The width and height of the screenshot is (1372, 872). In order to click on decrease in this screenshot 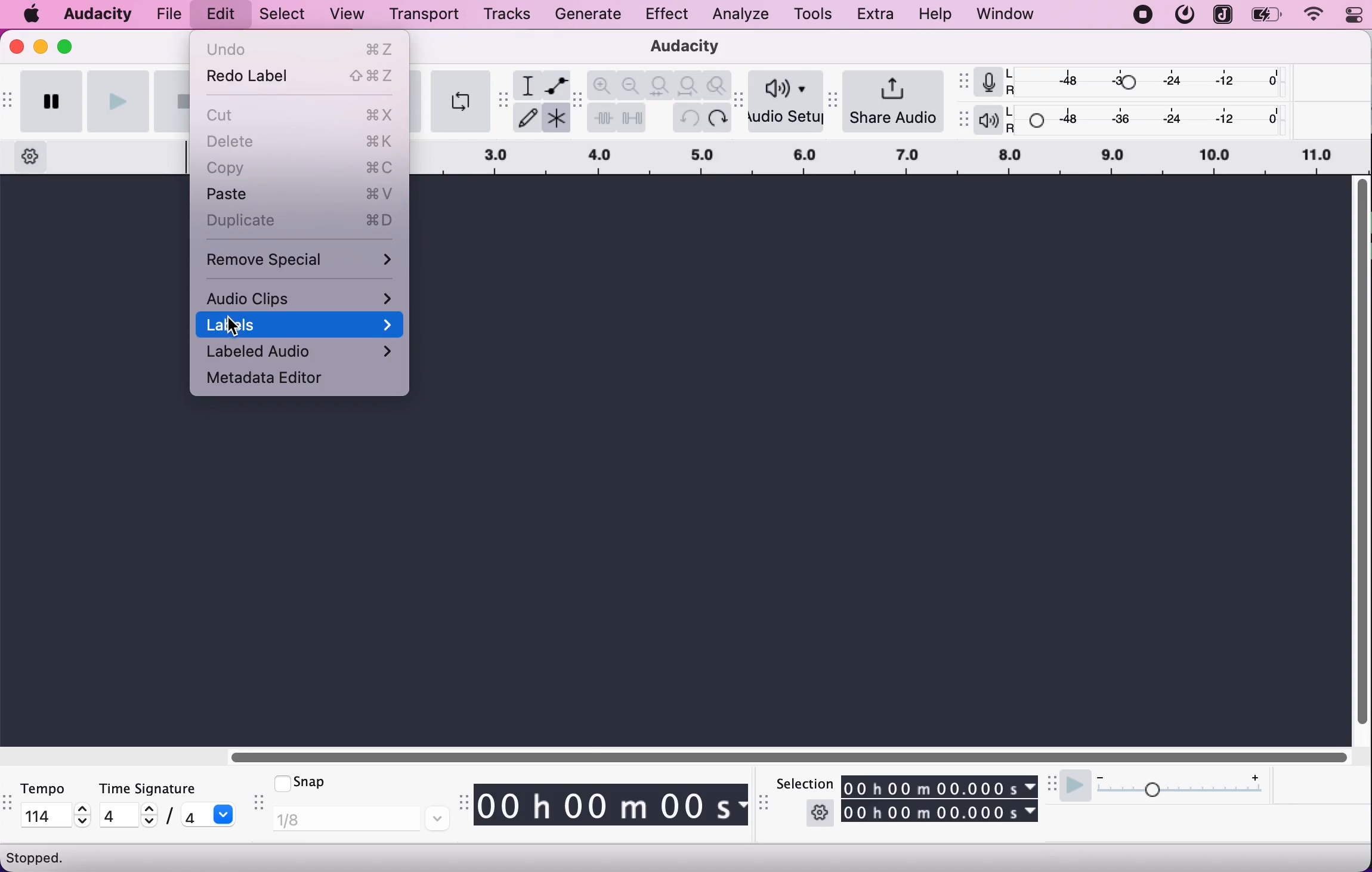, I will do `click(147, 823)`.